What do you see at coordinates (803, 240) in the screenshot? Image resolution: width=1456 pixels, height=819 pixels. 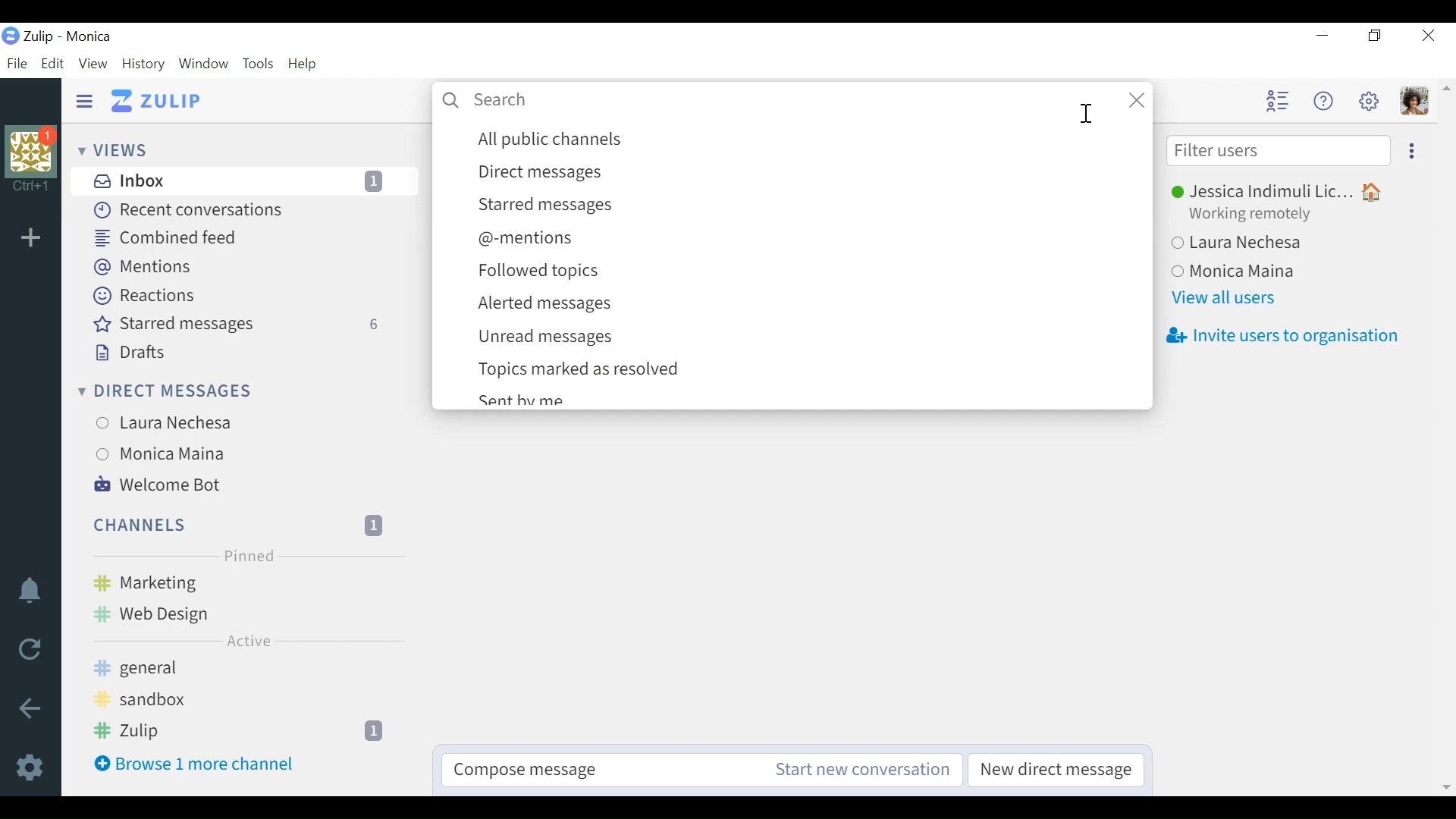 I see `@-mentions` at bounding box center [803, 240].